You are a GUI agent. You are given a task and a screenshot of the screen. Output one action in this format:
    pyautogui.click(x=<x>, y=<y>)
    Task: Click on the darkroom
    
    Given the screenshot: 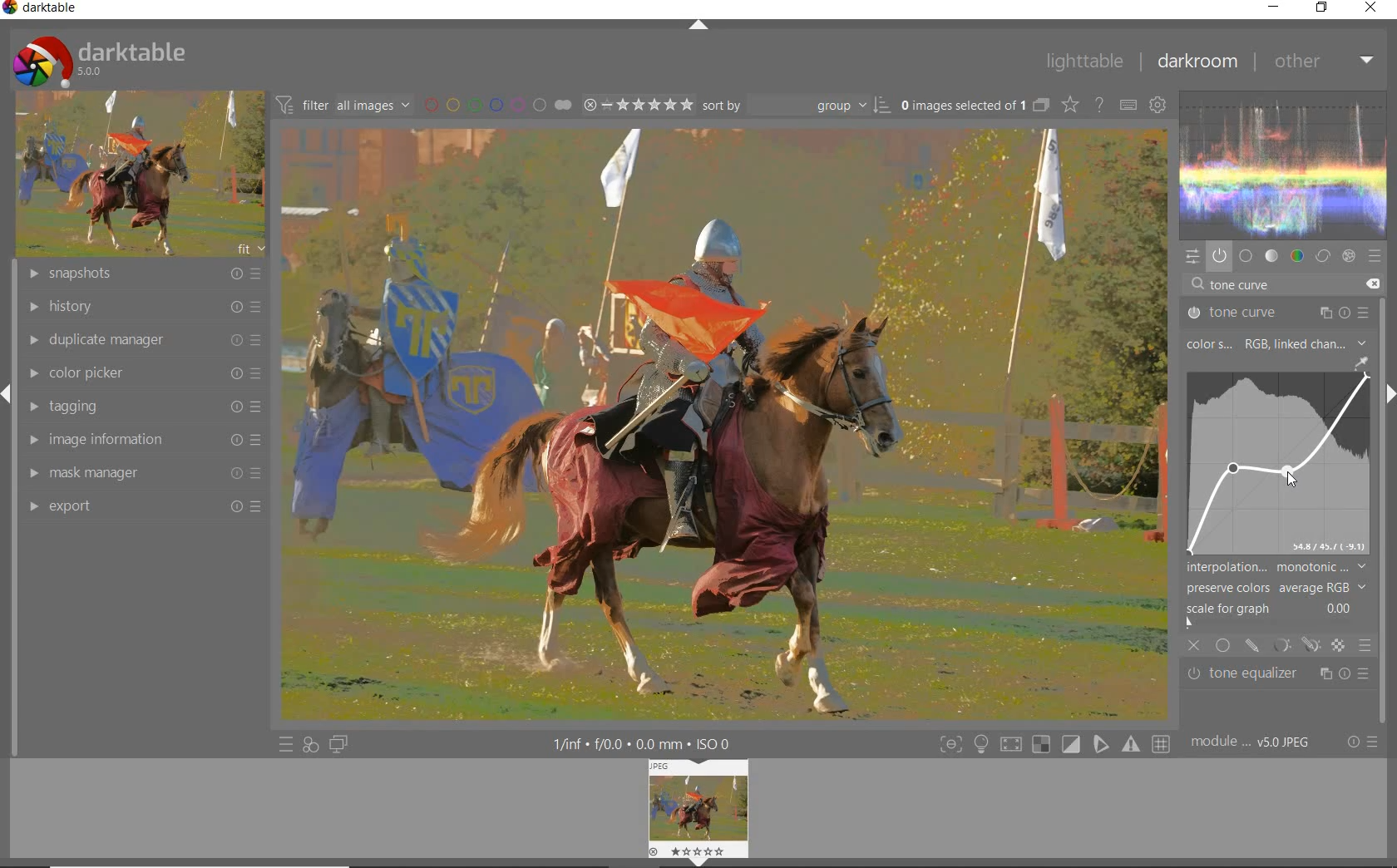 What is the action you would take?
    pyautogui.click(x=1197, y=63)
    